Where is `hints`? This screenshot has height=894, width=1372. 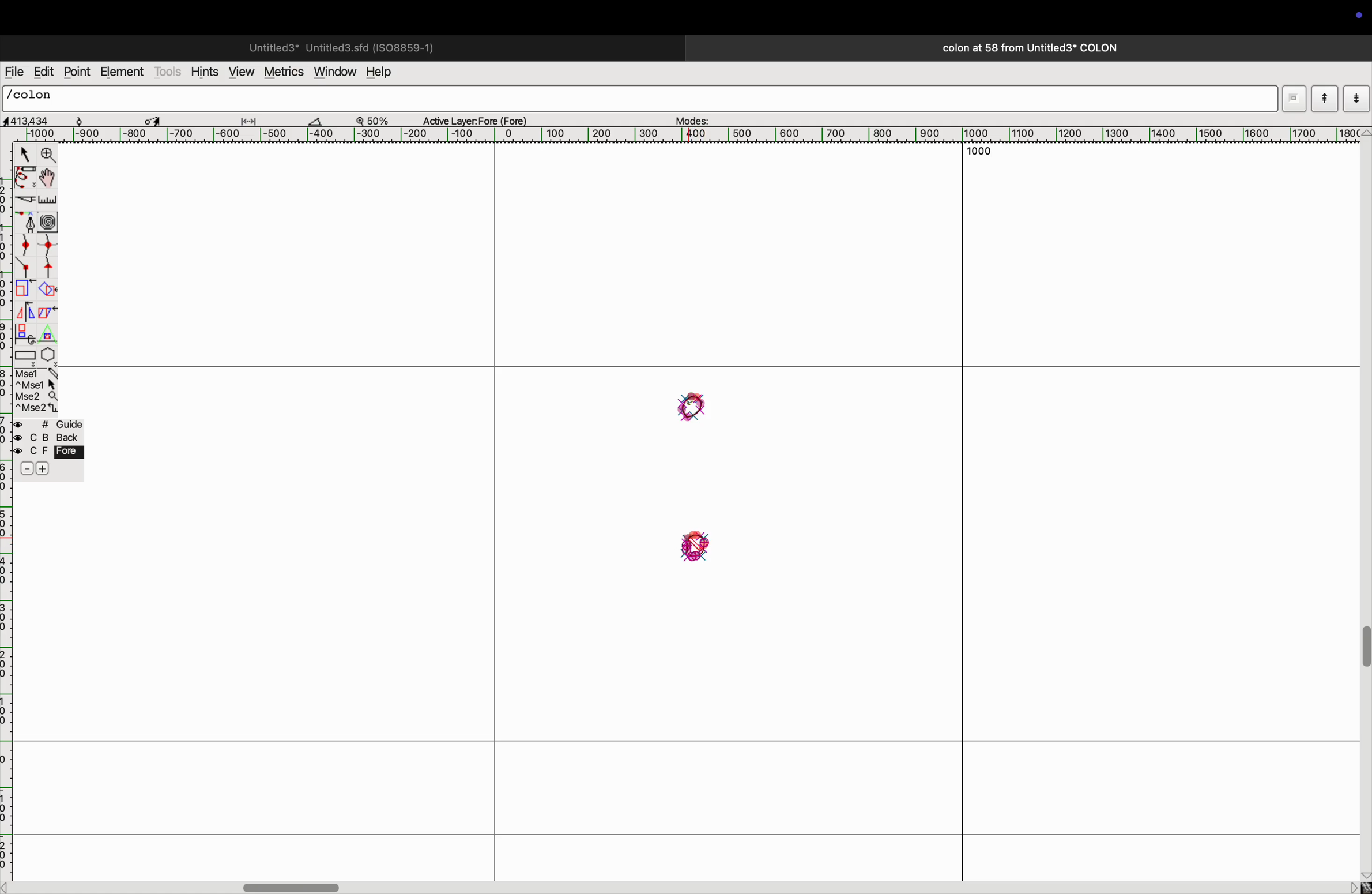 hints is located at coordinates (205, 70).